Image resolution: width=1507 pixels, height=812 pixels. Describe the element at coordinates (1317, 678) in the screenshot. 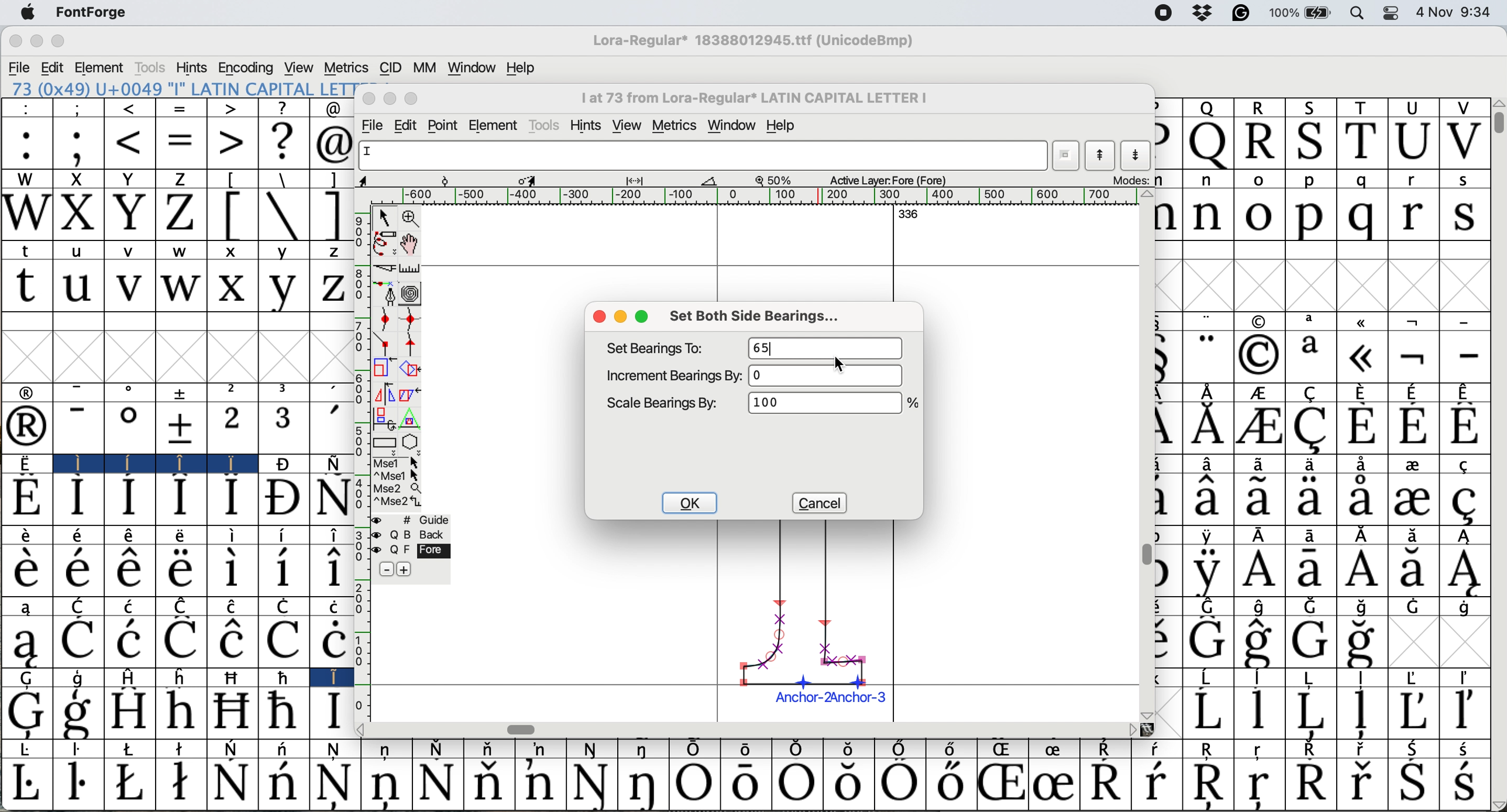

I see `Symbol` at that location.